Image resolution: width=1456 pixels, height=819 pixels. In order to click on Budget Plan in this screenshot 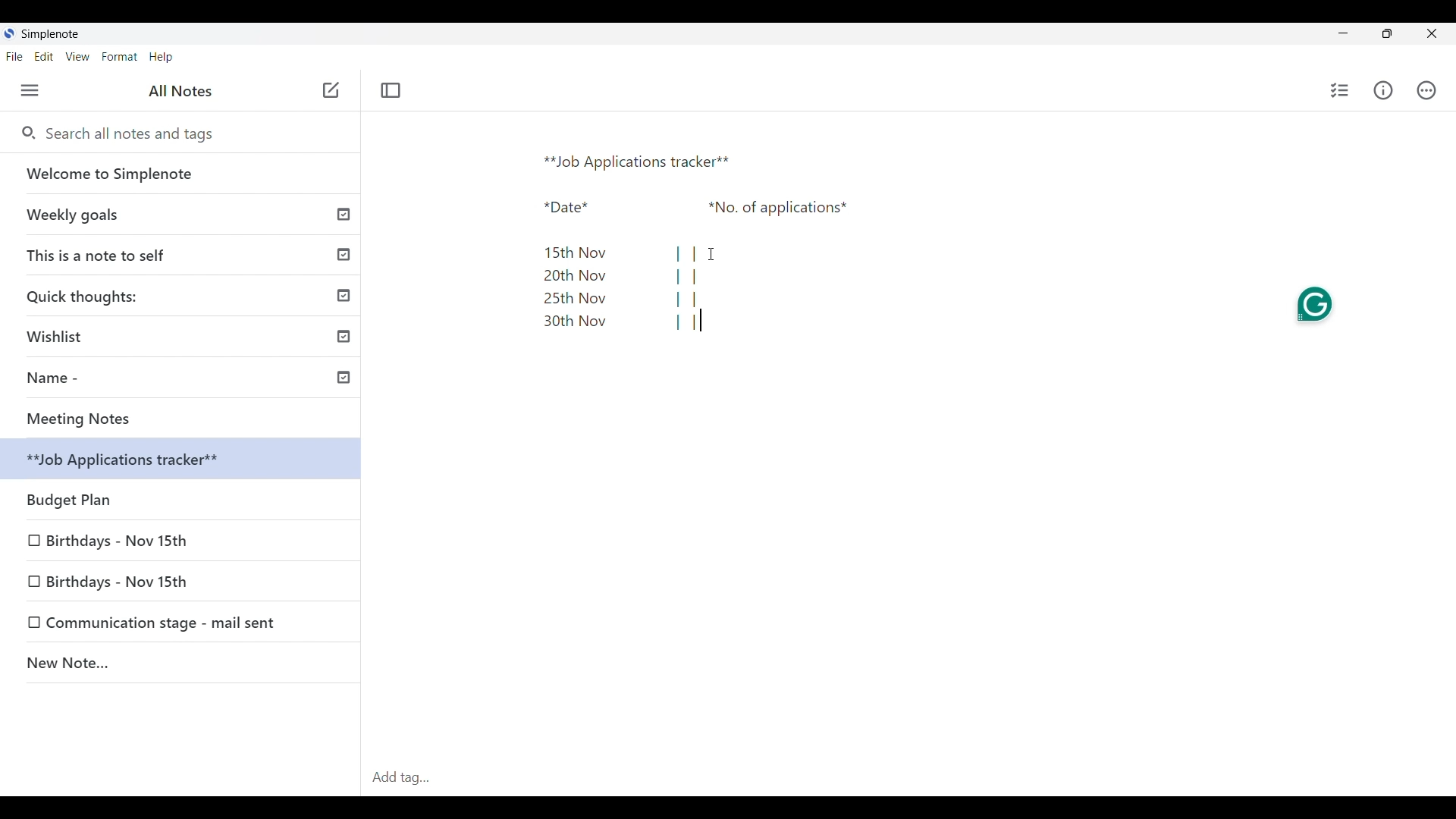, I will do `click(184, 461)`.